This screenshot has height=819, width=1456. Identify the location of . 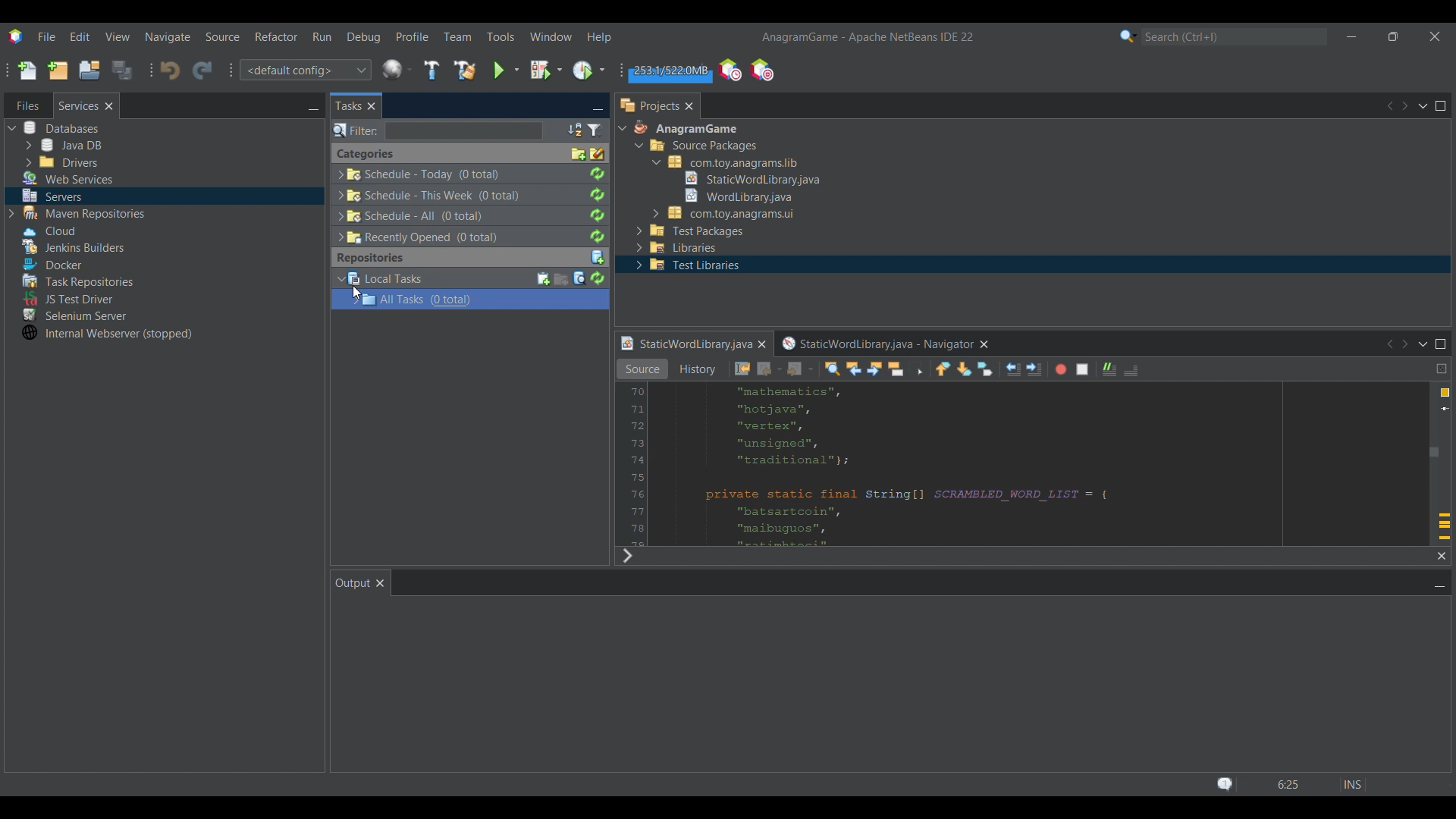
(1409, 342).